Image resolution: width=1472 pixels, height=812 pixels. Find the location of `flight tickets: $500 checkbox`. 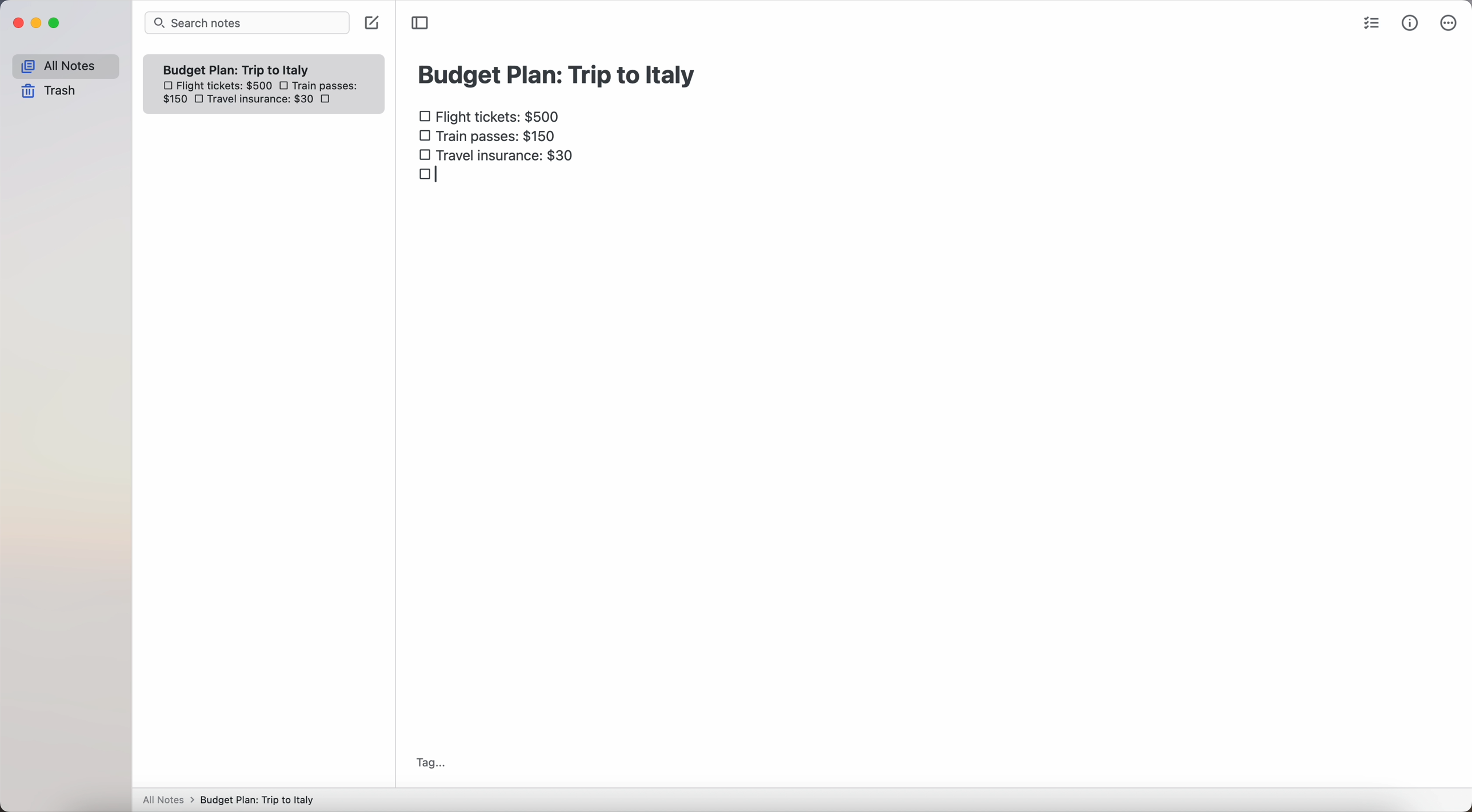

flight tickets: $500 checkbox is located at coordinates (493, 118).